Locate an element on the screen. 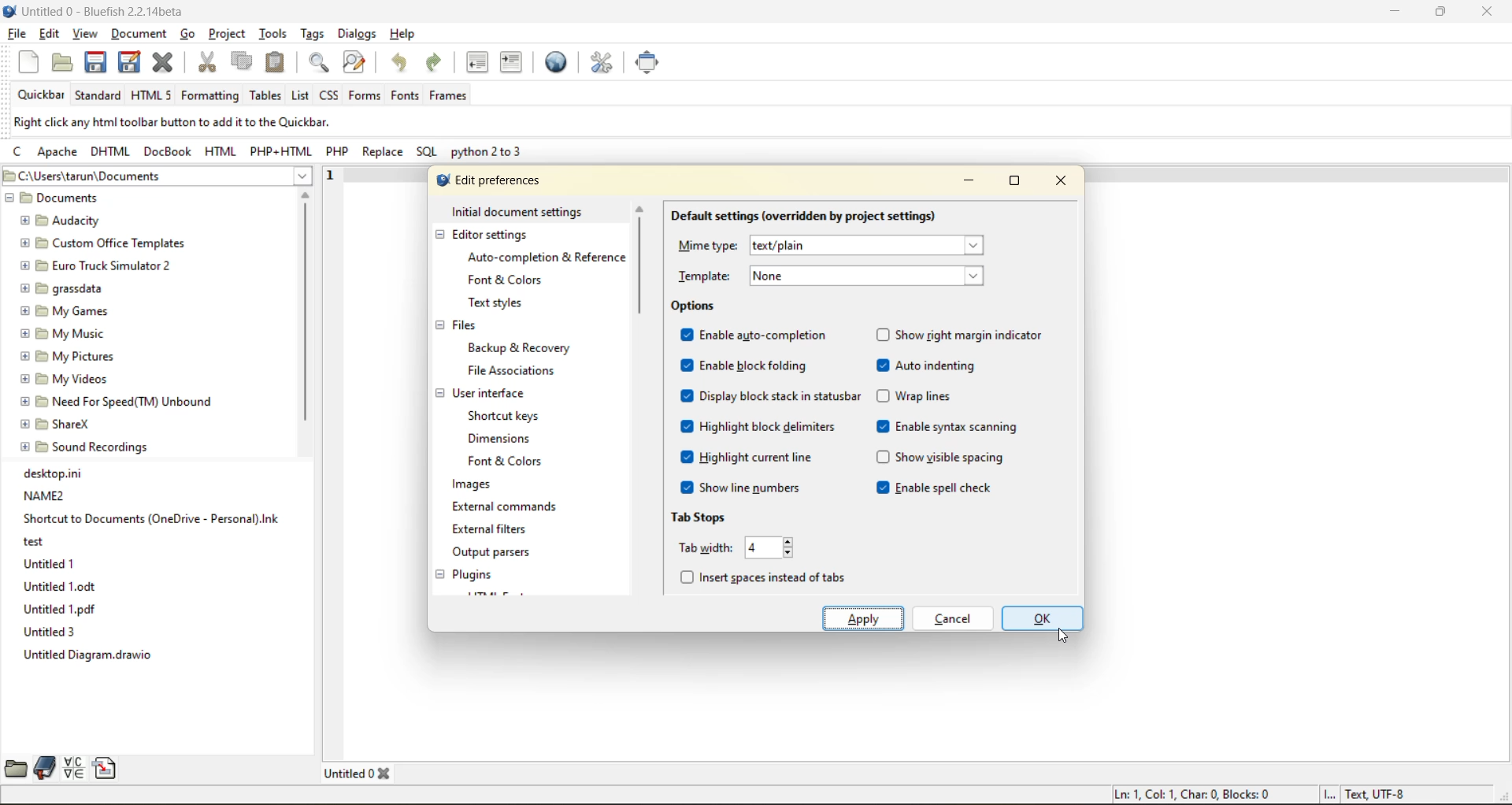 The width and height of the screenshot is (1512, 805). edit preferences is located at coordinates (603, 63).